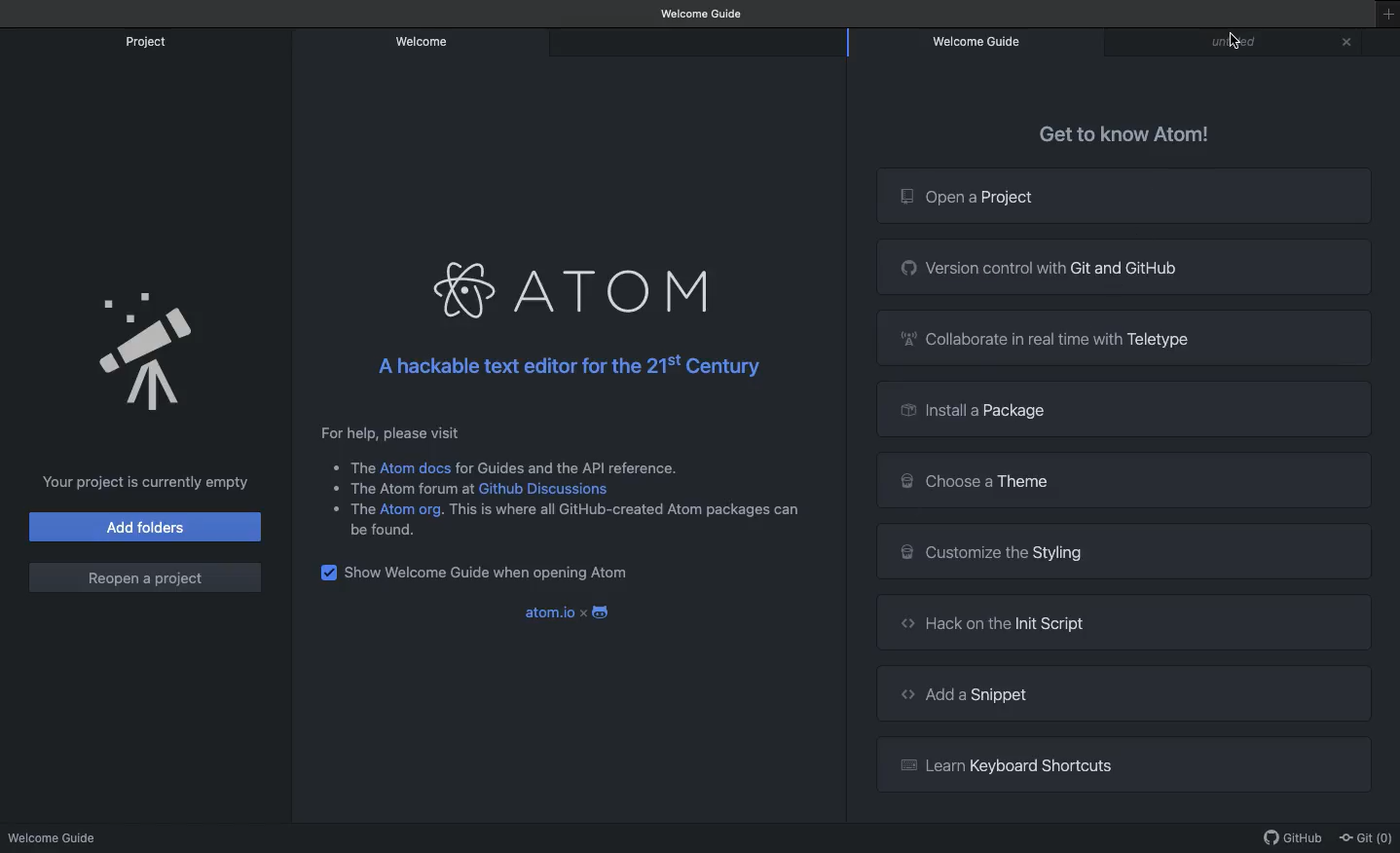  What do you see at coordinates (1149, 197) in the screenshot?
I see `Open a project` at bounding box center [1149, 197].